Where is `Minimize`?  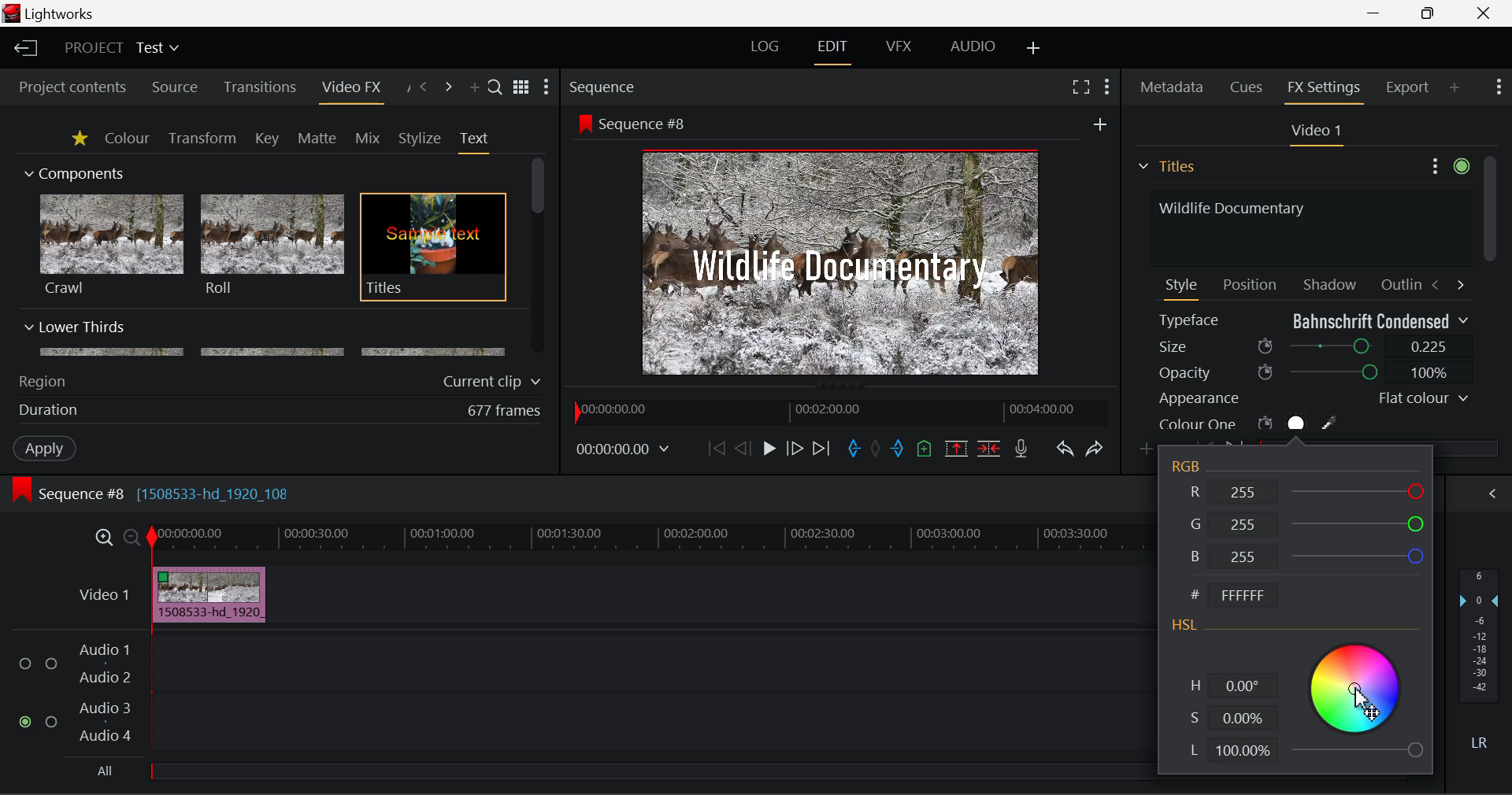
Minimize is located at coordinates (1432, 12).